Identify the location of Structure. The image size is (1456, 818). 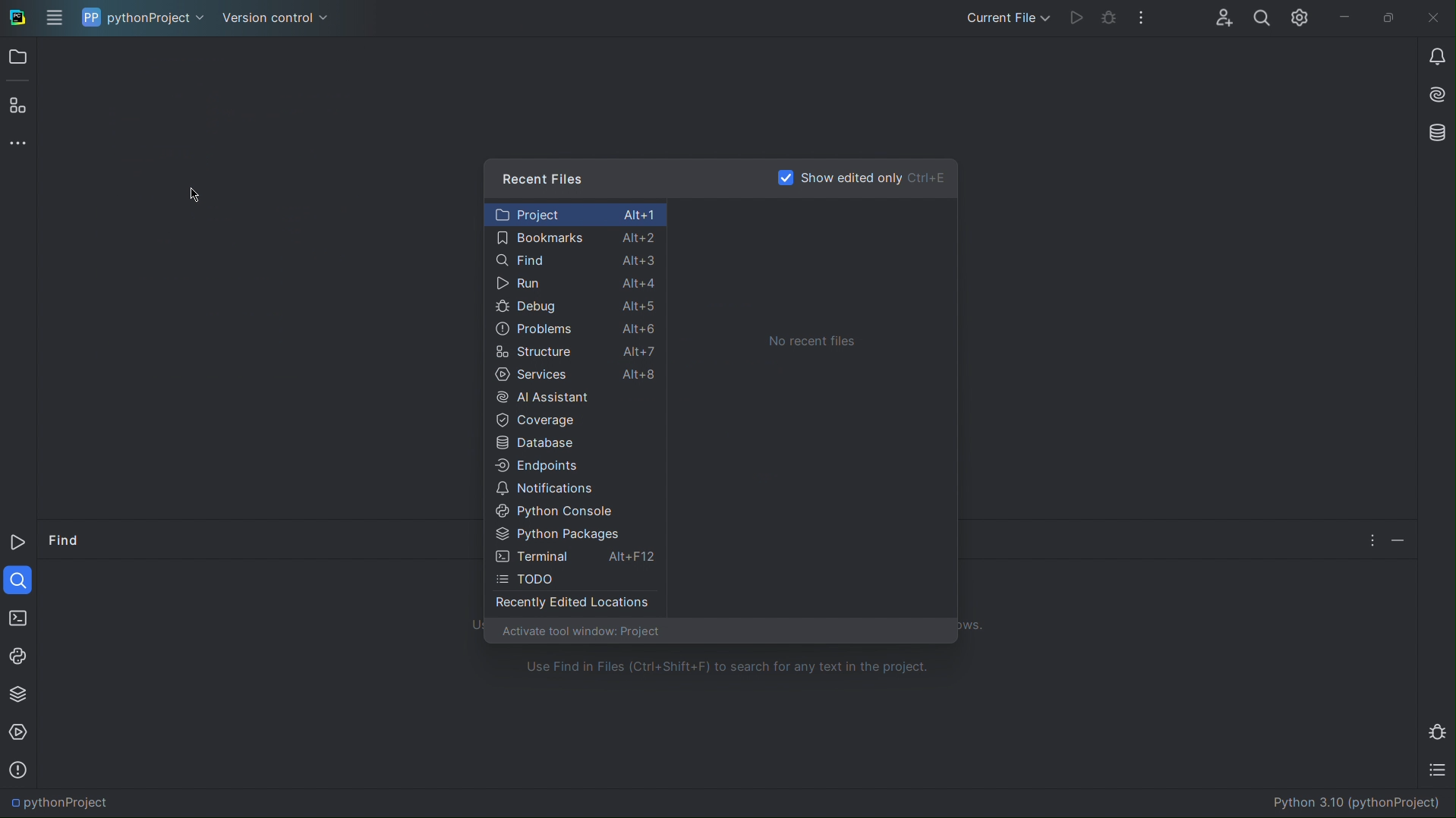
(576, 353).